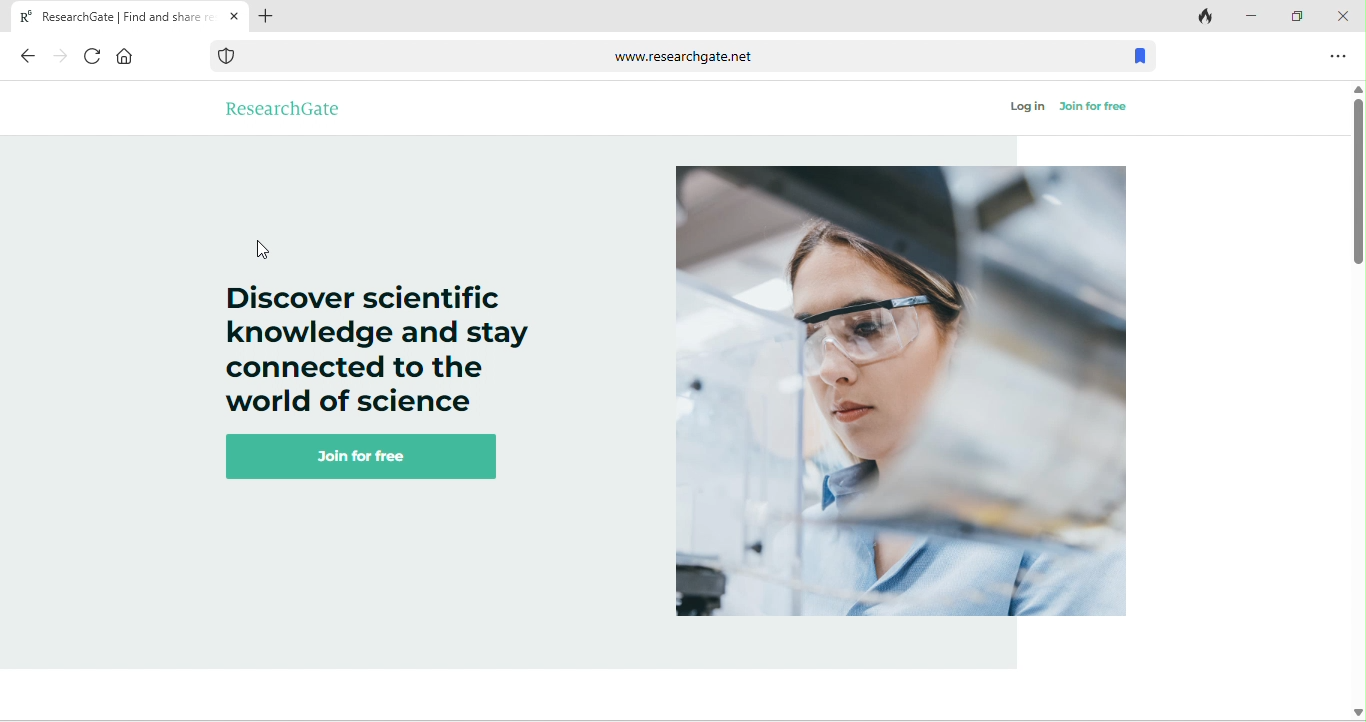 The image size is (1366, 722). I want to click on Discover scientific knowledge and stay connected to the world of science, so click(389, 354).